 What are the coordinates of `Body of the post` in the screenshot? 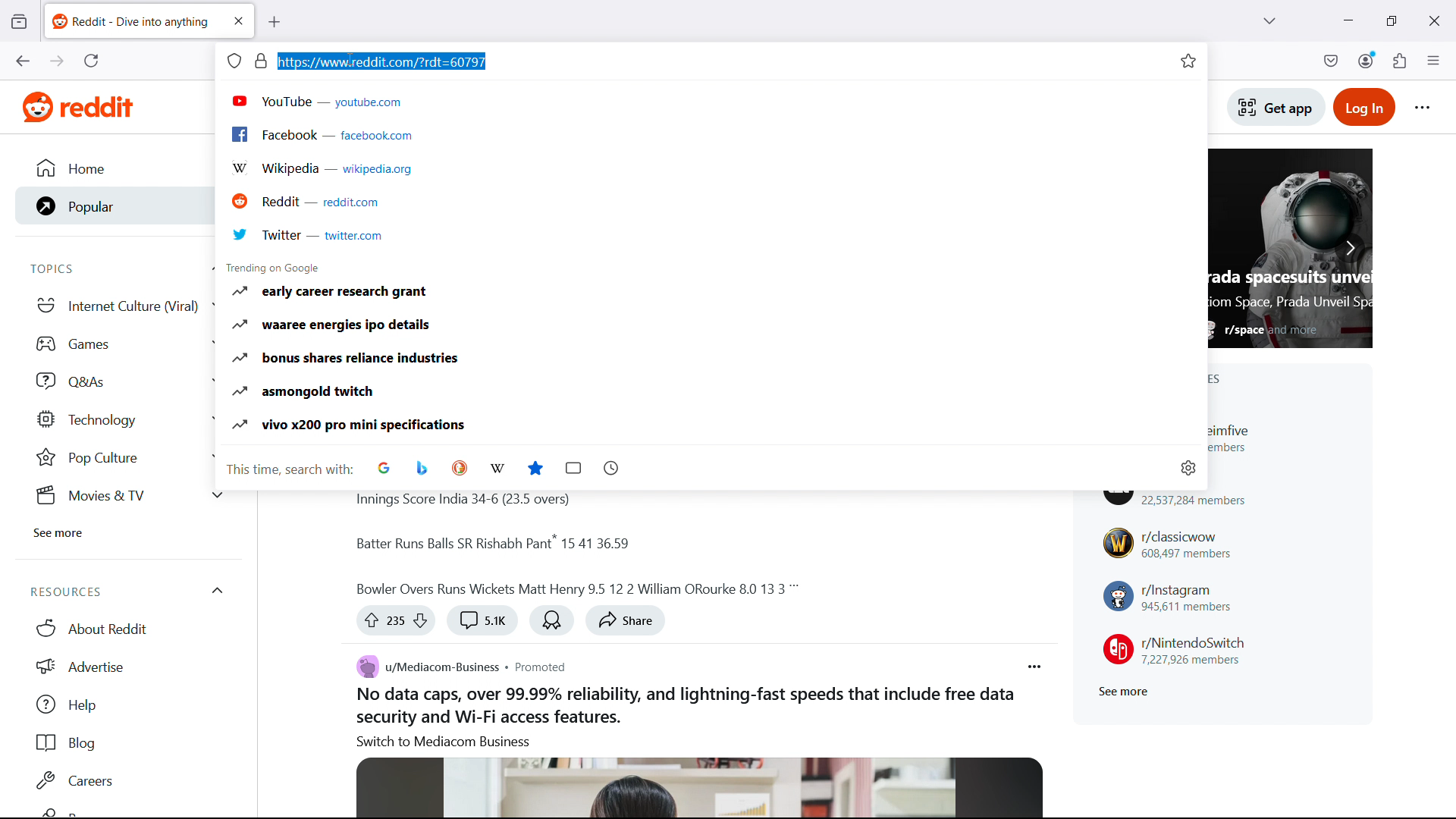 It's located at (682, 717).